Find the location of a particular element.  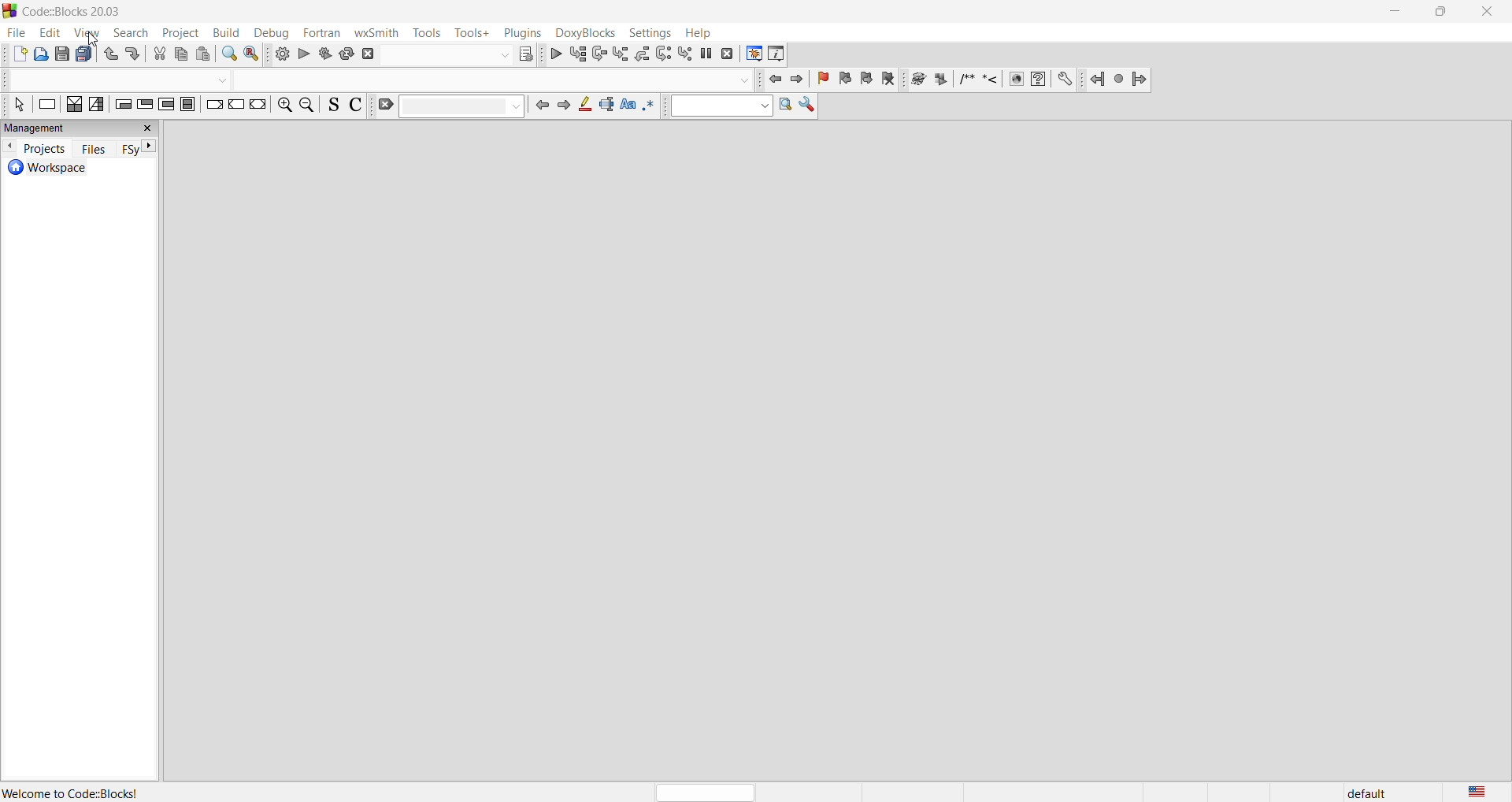

Run search is located at coordinates (786, 106).